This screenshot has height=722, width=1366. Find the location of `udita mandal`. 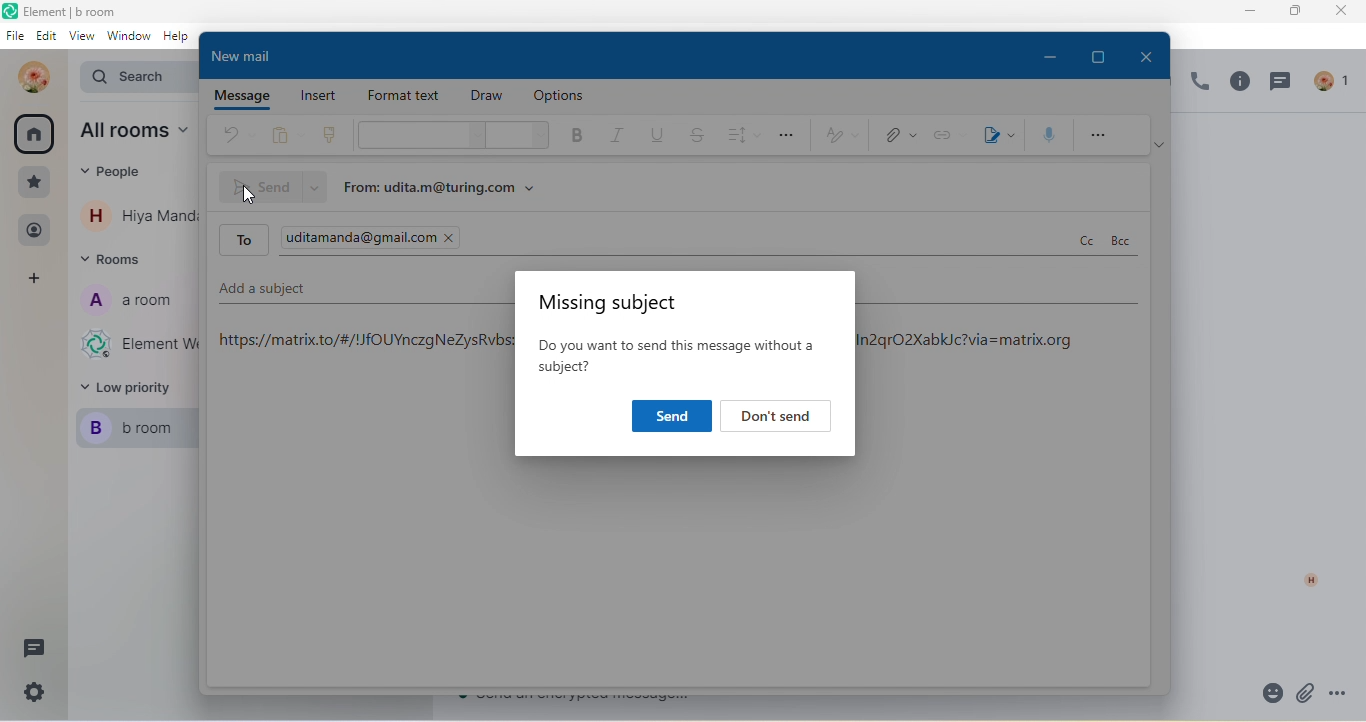

udita mandal is located at coordinates (29, 77).